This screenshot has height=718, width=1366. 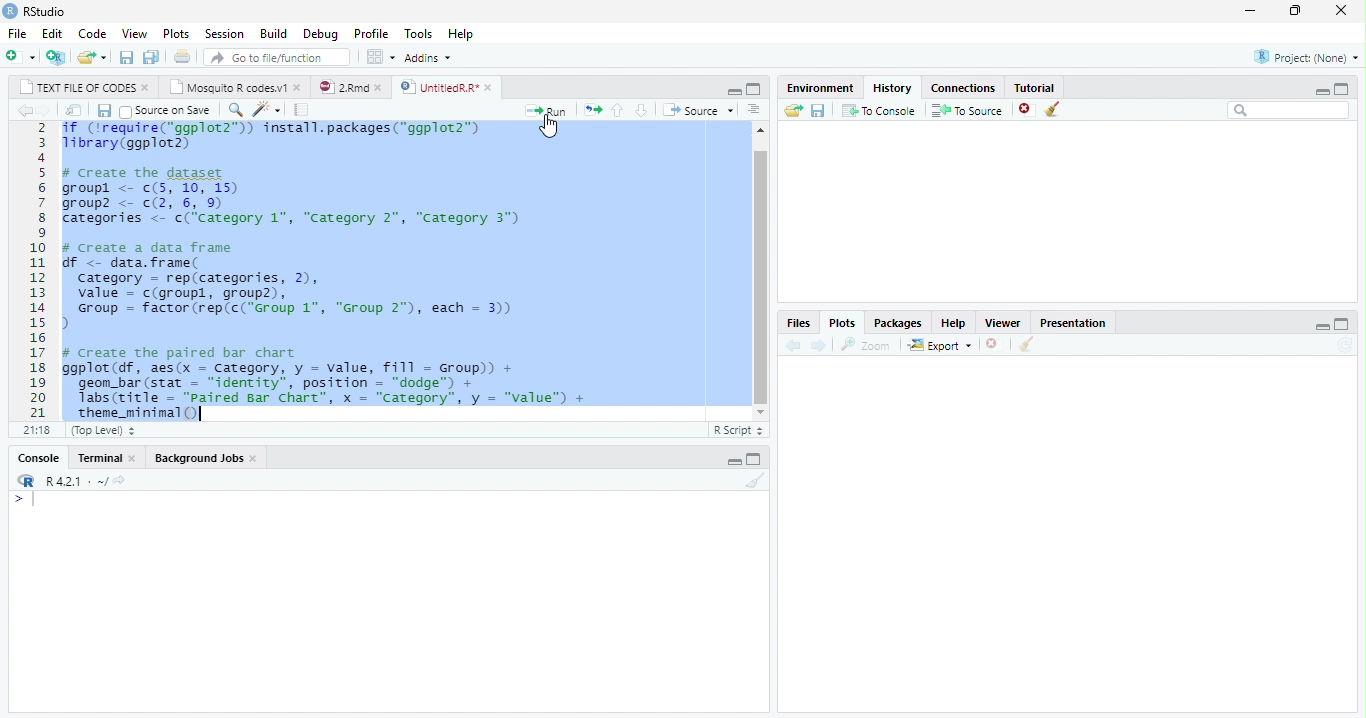 I want to click on view, so click(x=131, y=32).